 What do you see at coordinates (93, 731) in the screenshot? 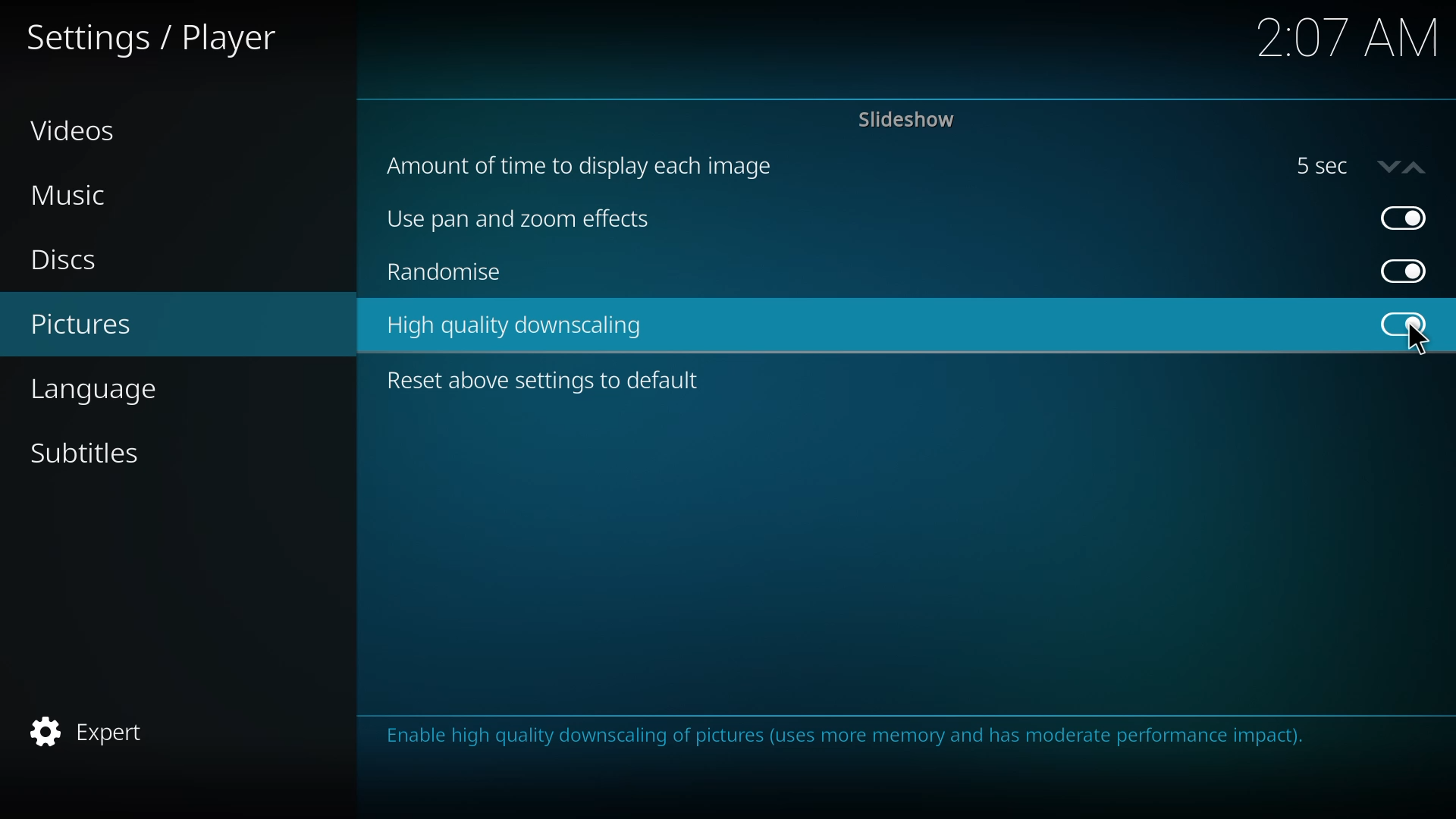
I see `expert` at bounding box center [93, 731].